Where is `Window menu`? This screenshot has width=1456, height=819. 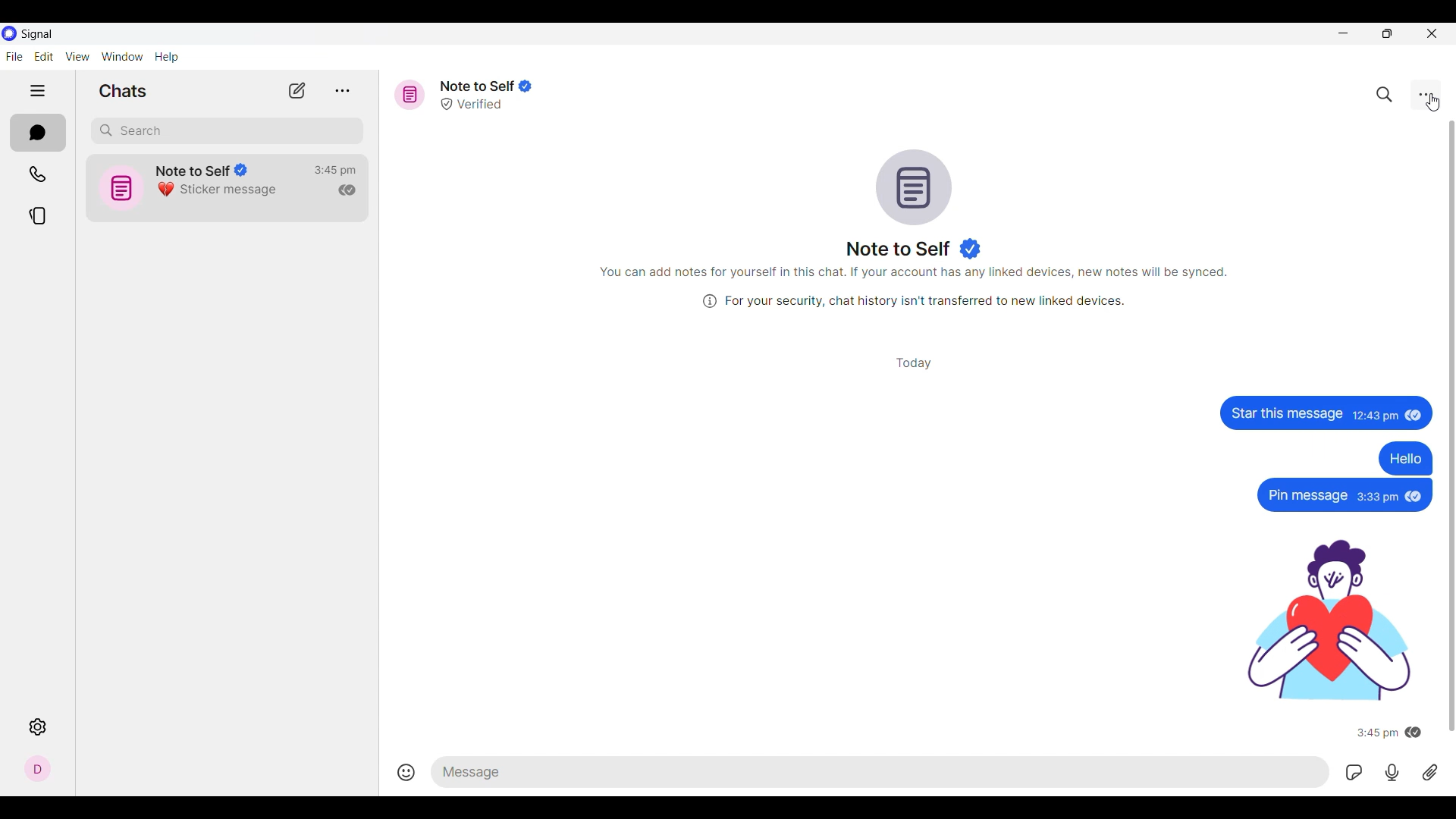 Window menu is located at coordinates (122, 57).